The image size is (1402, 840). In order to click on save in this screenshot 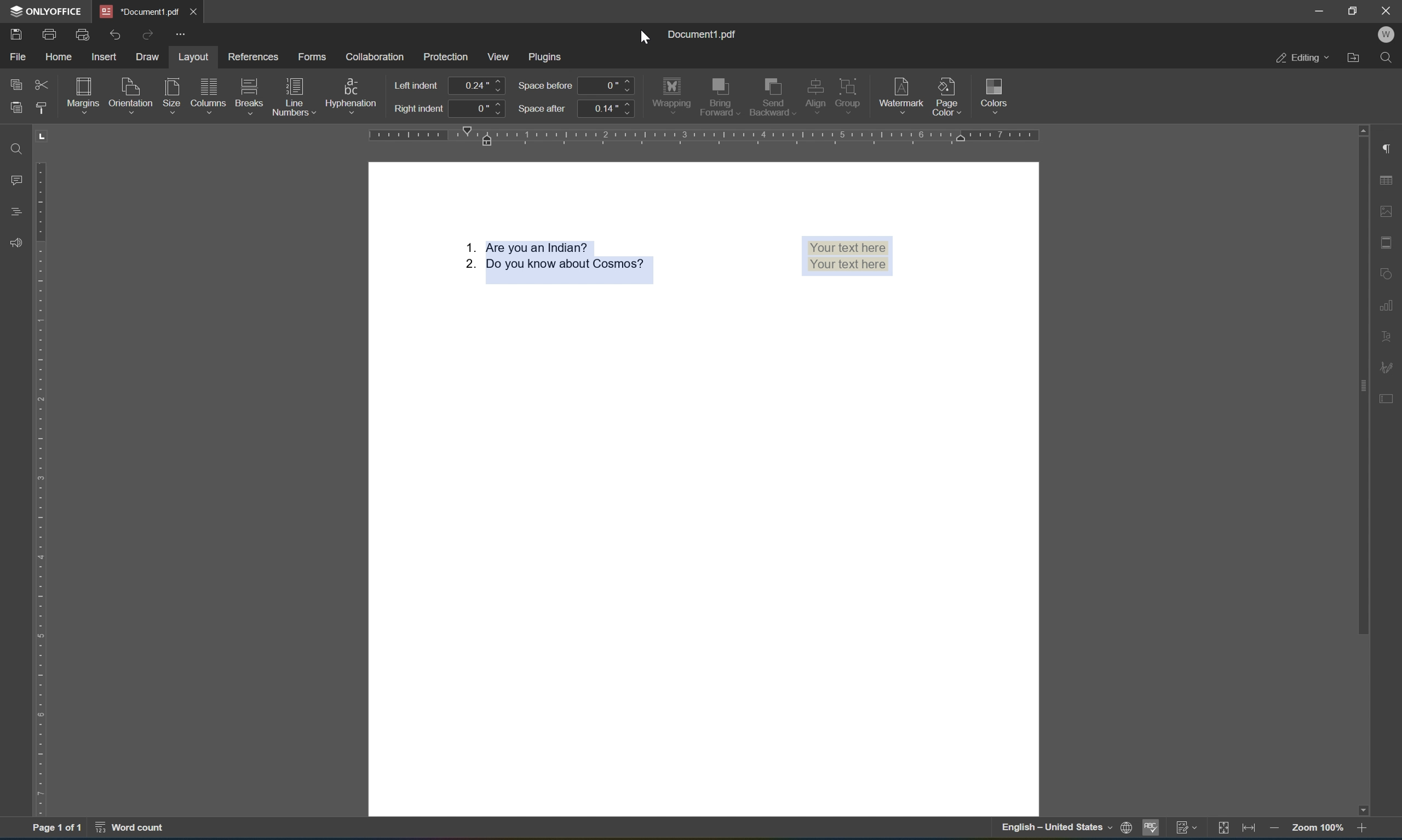, I will do `click(16, 33)`.